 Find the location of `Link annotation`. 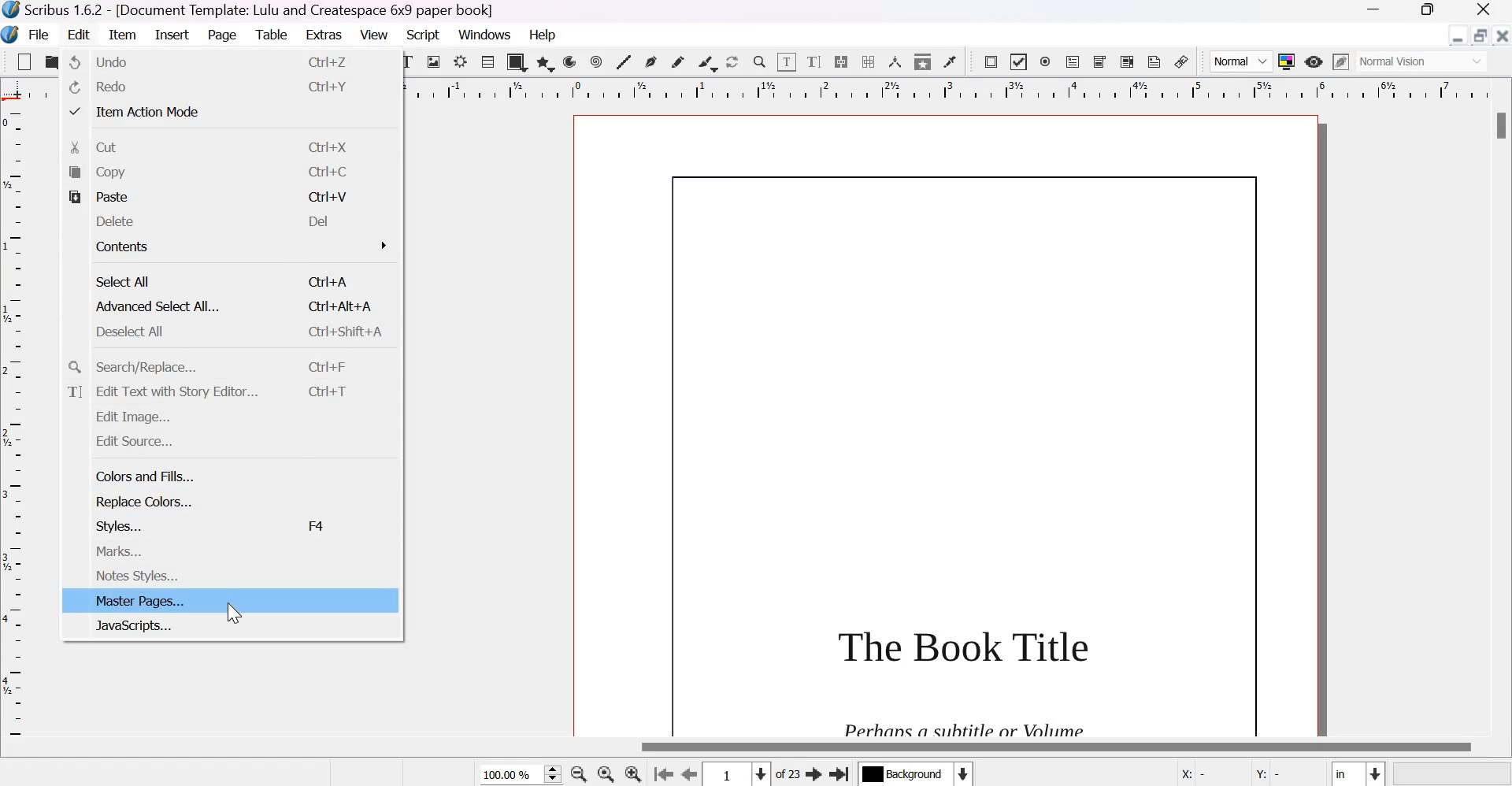

Link annotation is located at coordinates (1181, 61).